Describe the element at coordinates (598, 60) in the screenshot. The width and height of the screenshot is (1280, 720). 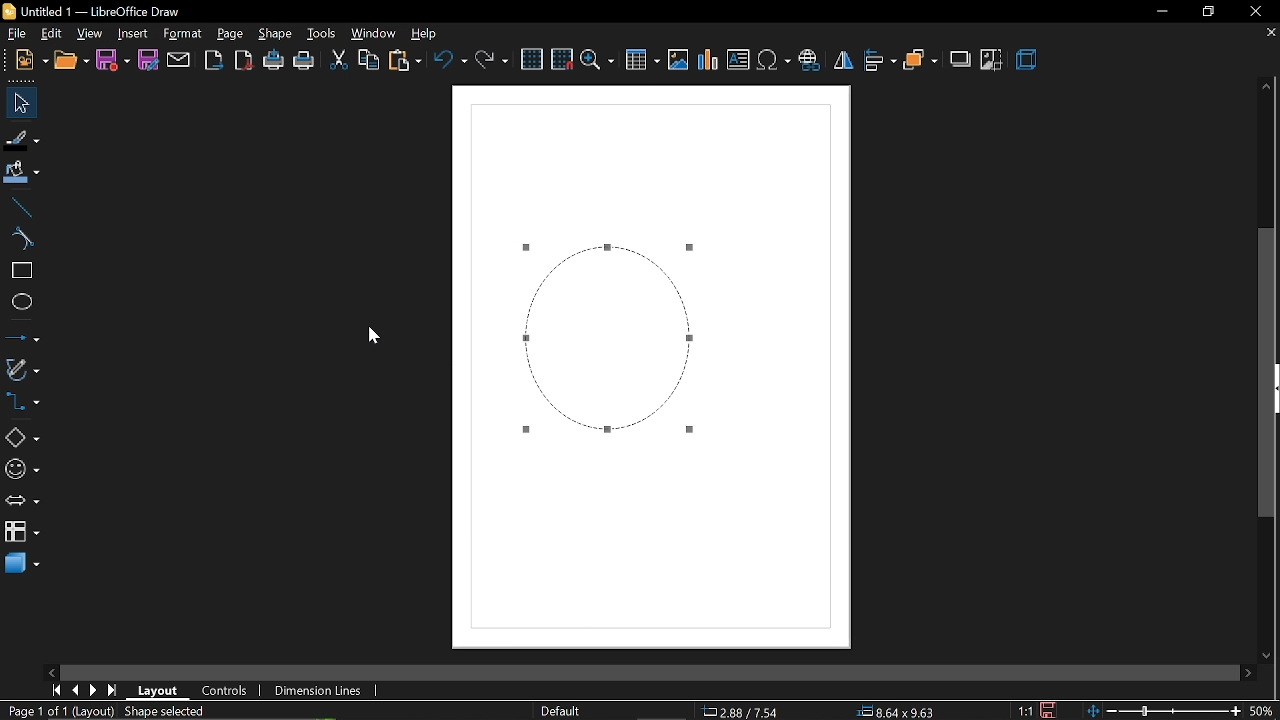
I see `zoom` at that location.